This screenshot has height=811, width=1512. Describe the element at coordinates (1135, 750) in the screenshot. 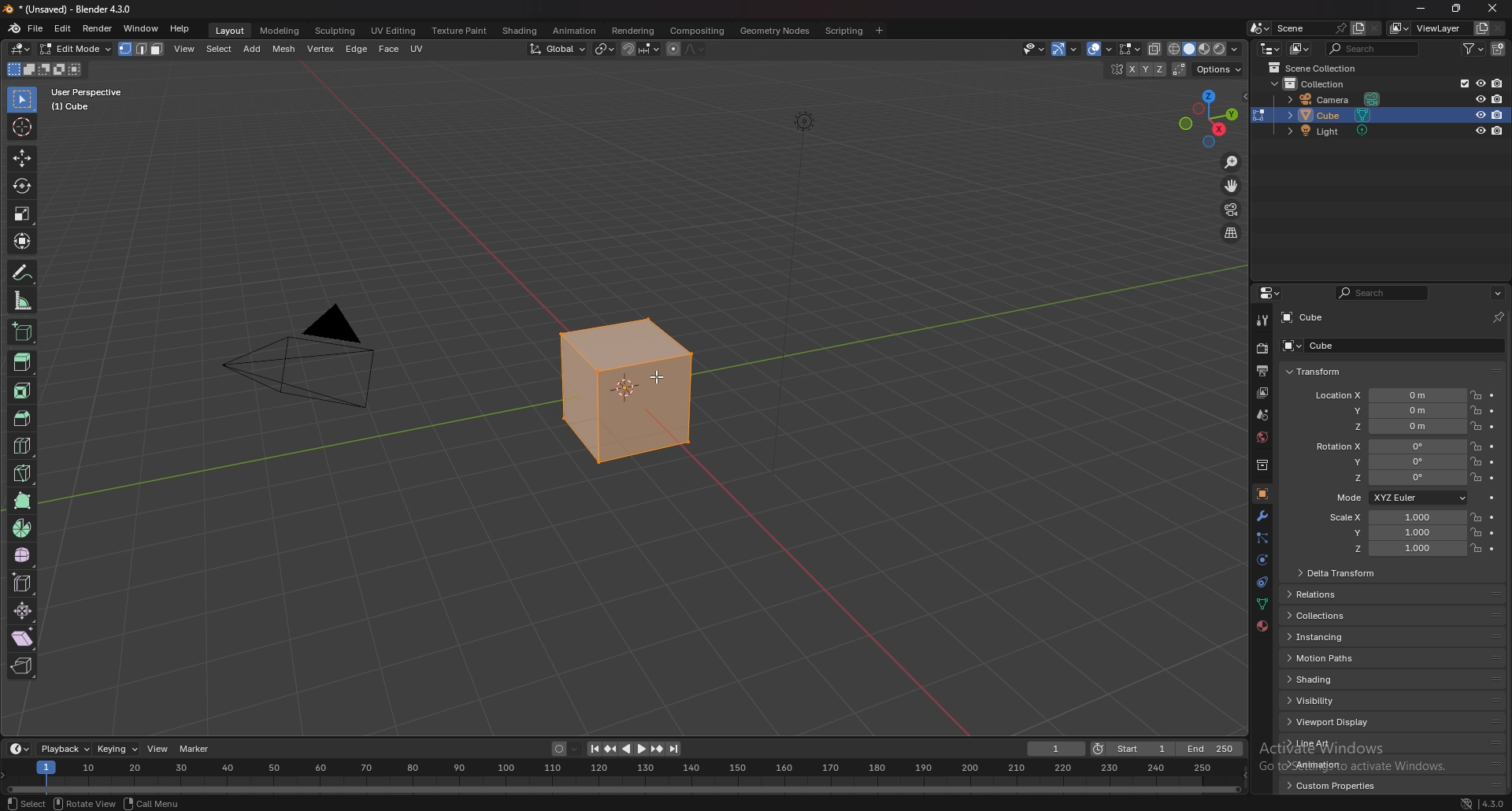

I see `start` at that location.